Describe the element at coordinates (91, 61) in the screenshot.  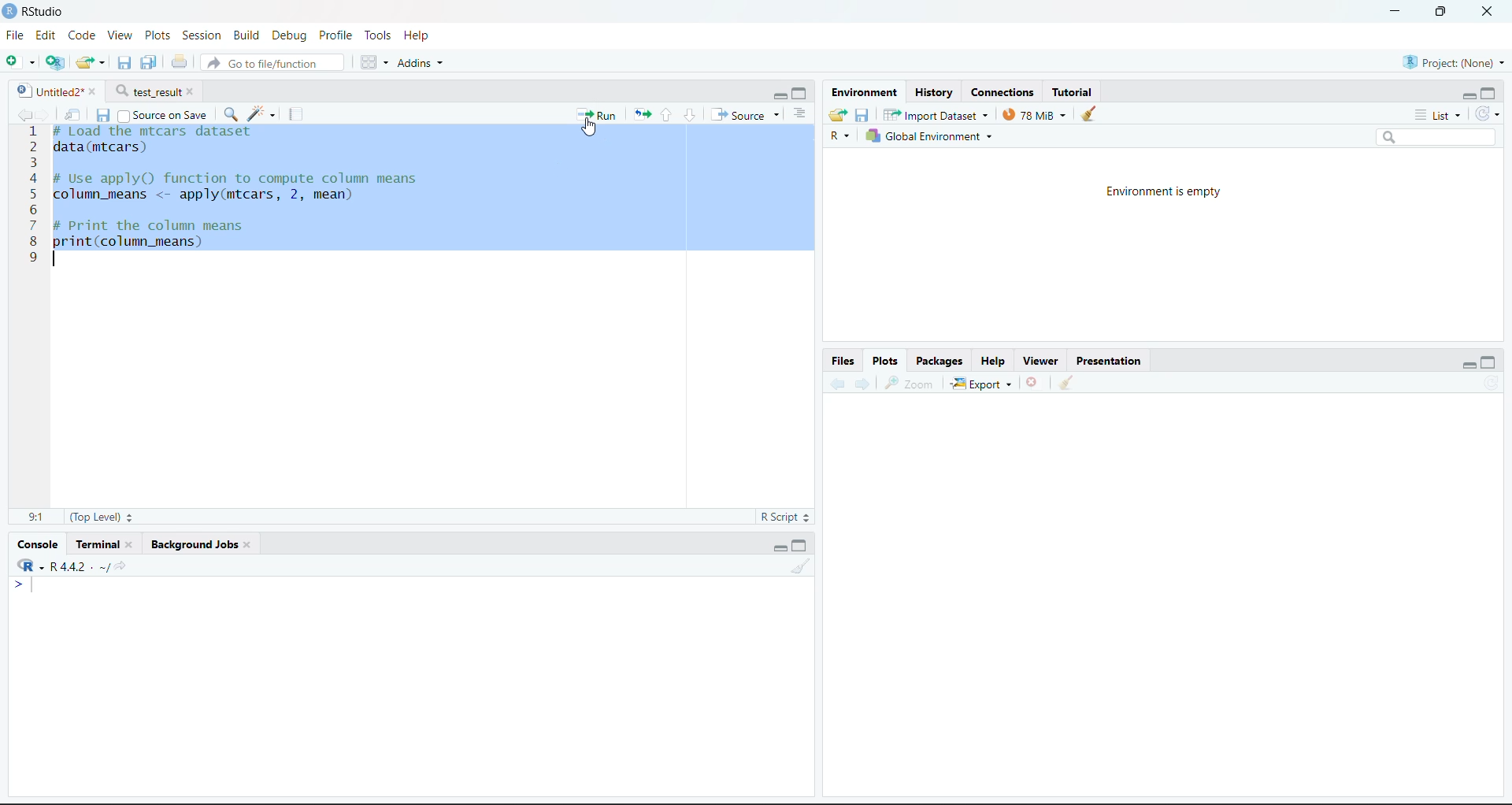
I see `Open an existing file (Ctrl + O)` at that location.